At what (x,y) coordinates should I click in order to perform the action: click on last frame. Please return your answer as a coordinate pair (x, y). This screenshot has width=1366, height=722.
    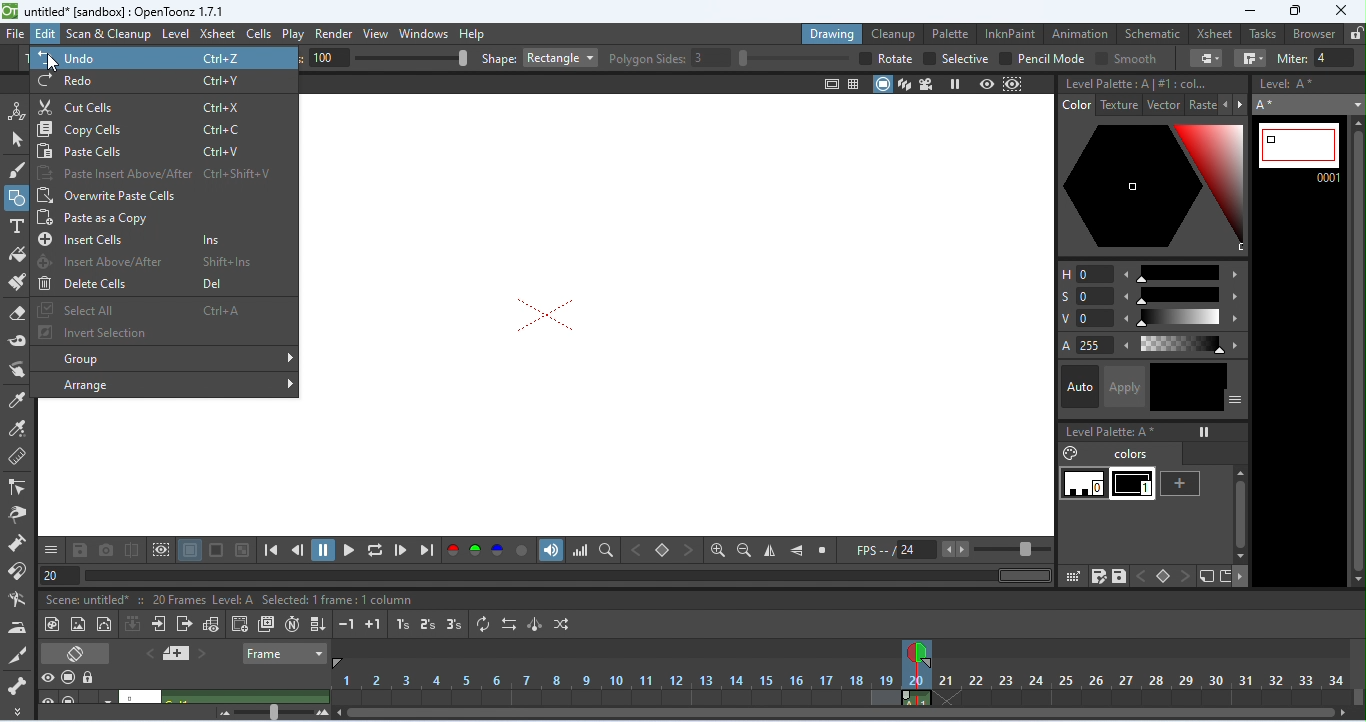
    Looking at the image, I should click on (427, 550).